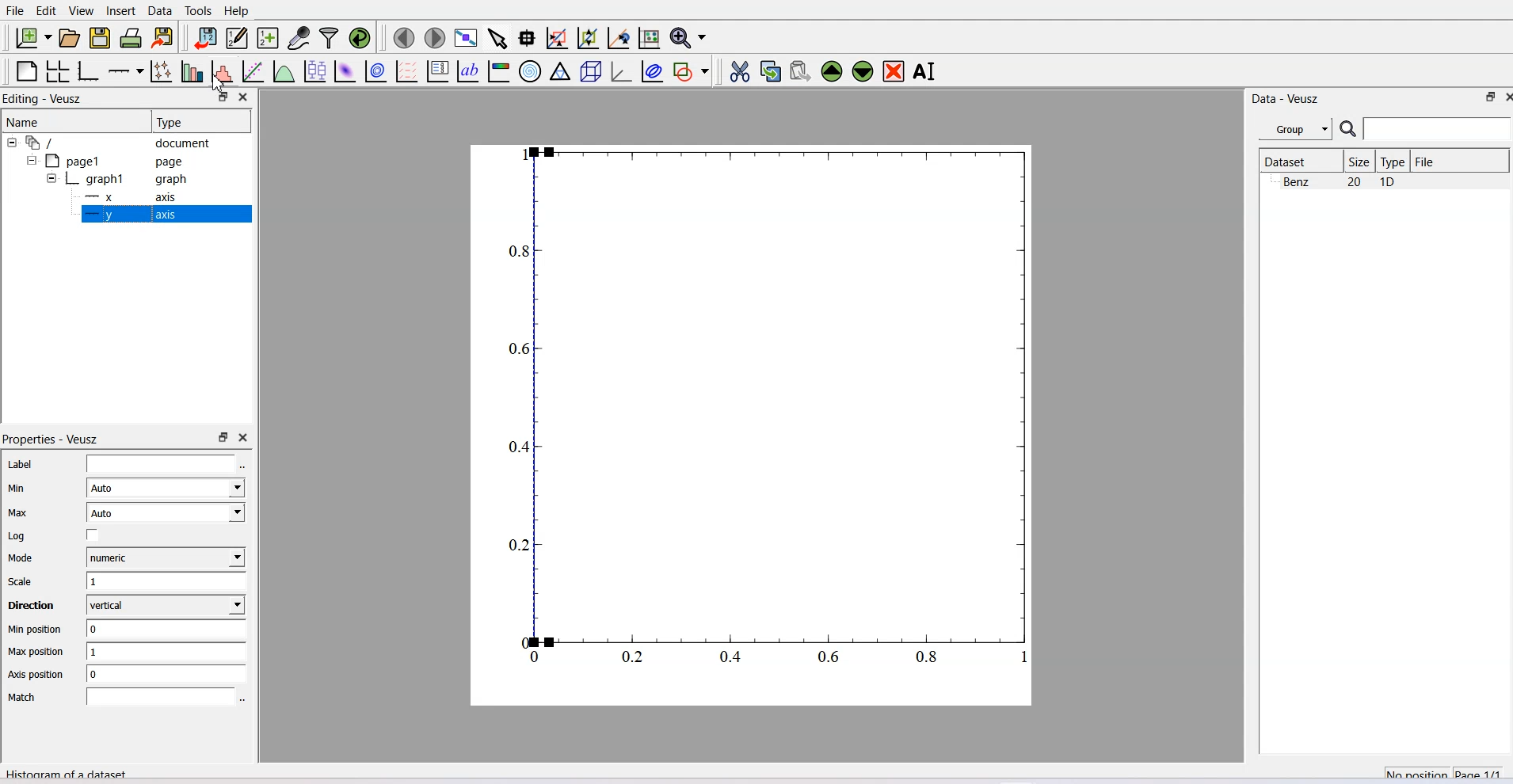  Describe the element at coordinates (1492, 97) in the screenshot. I see `Maximize` at that location.